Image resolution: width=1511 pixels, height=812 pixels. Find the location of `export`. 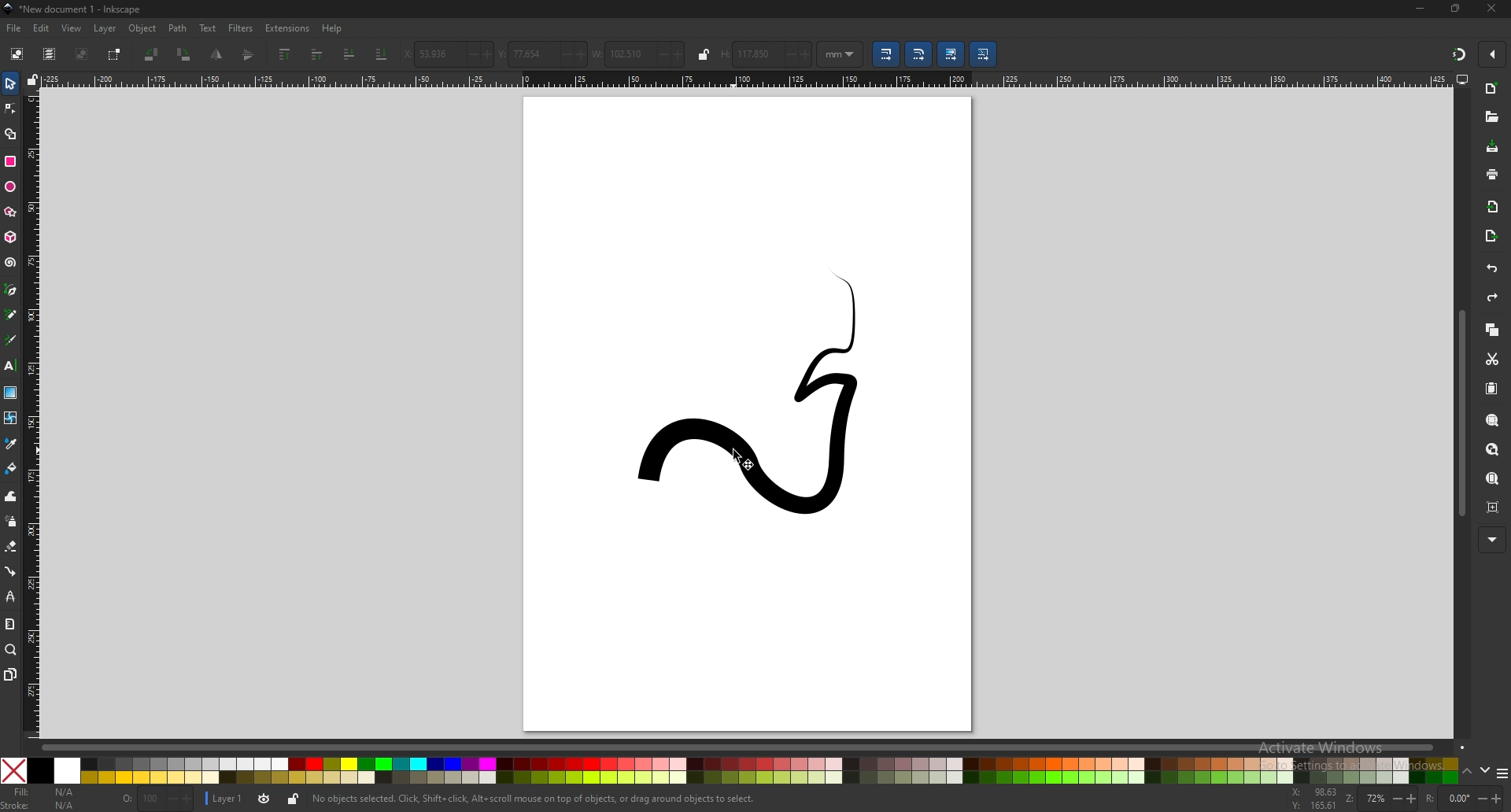

export is located at coordinates (1493, 236).